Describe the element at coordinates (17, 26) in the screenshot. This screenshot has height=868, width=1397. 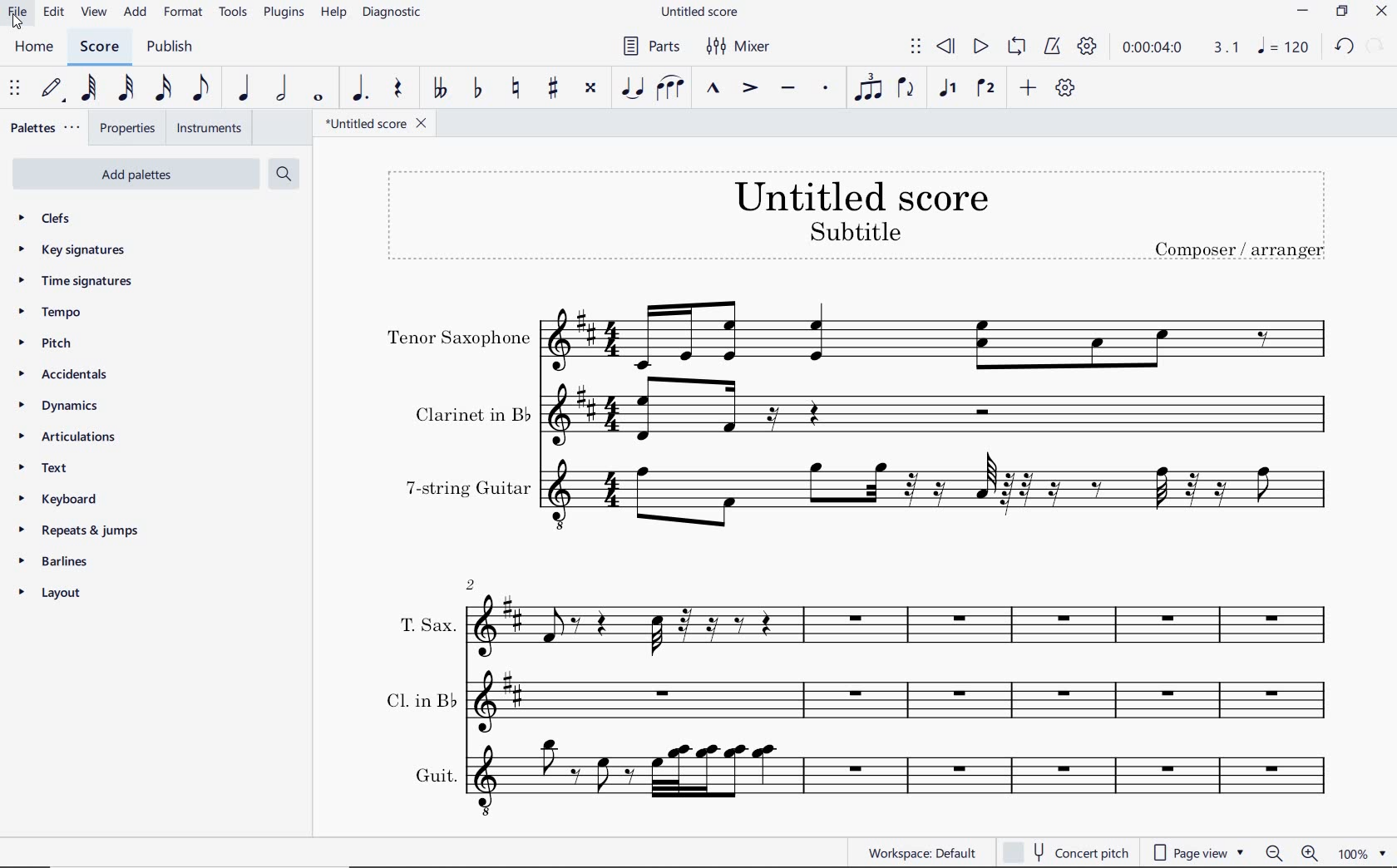
I see `cursor` at that location.